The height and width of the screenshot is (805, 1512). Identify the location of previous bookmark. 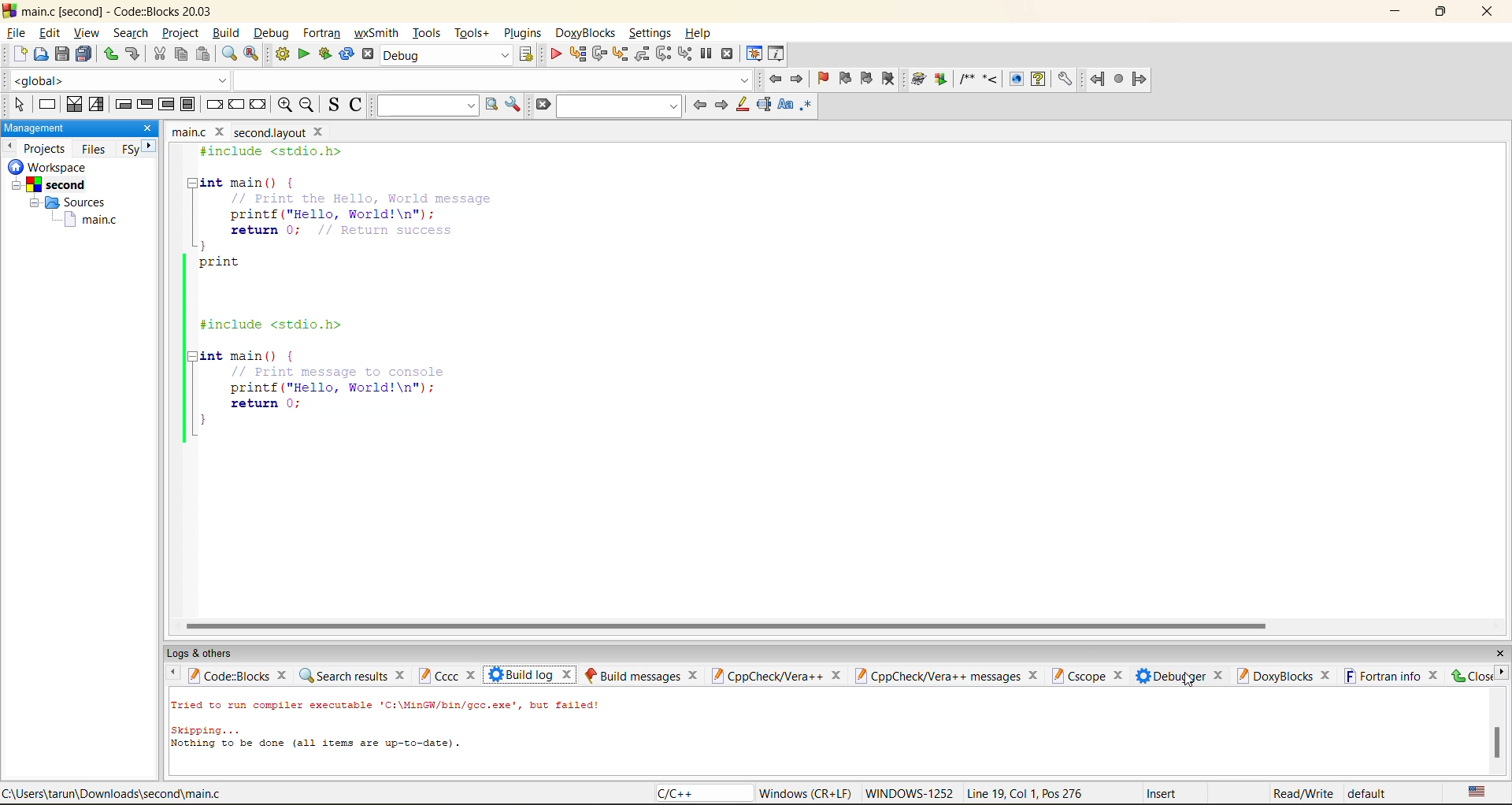
(845, 78).